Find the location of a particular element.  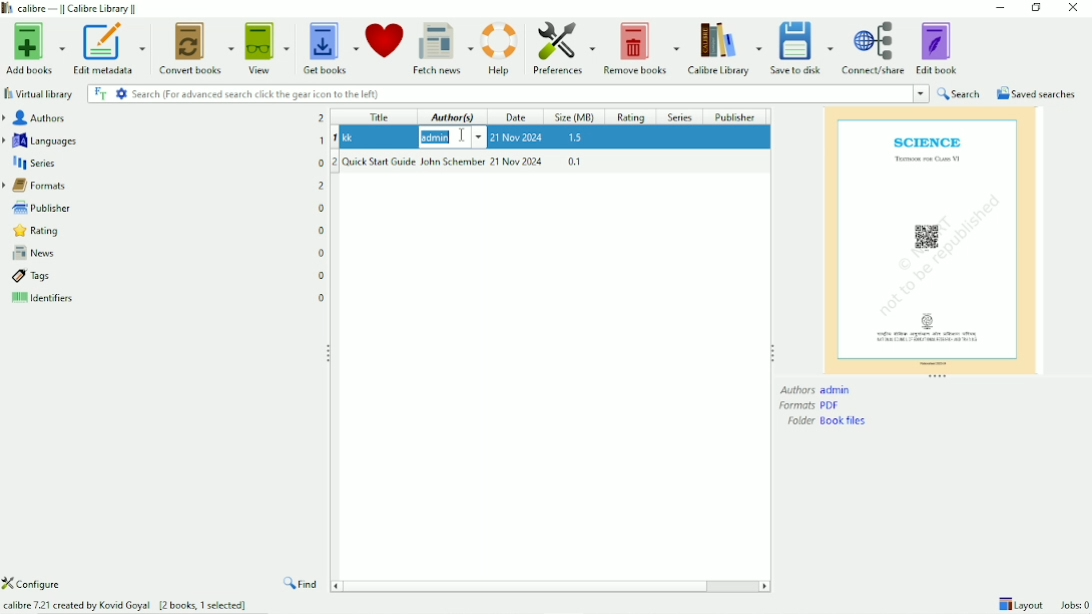

Rating is located at coordinates (632, 117).